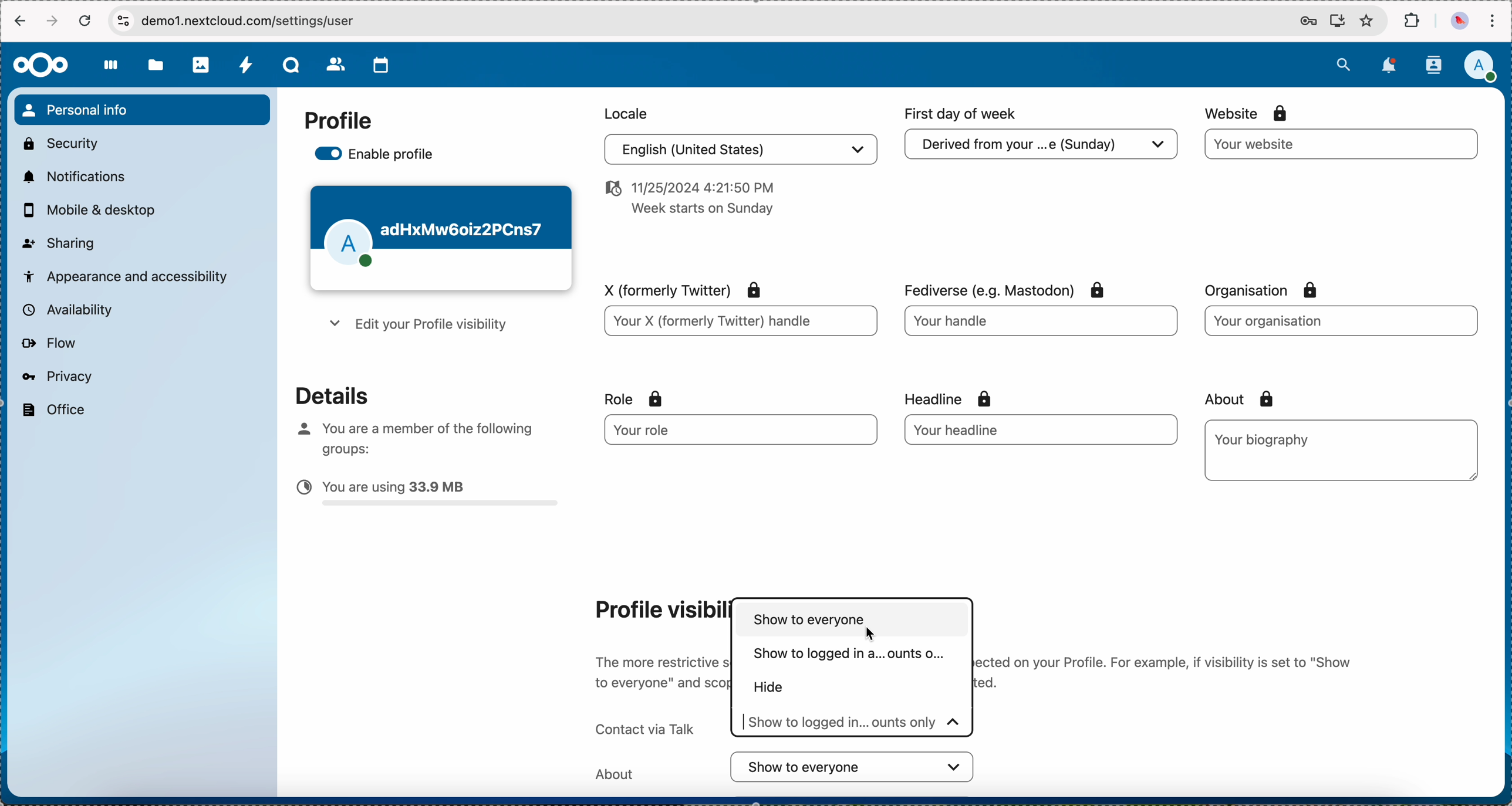  I want to click on profile, so click(338, 121).